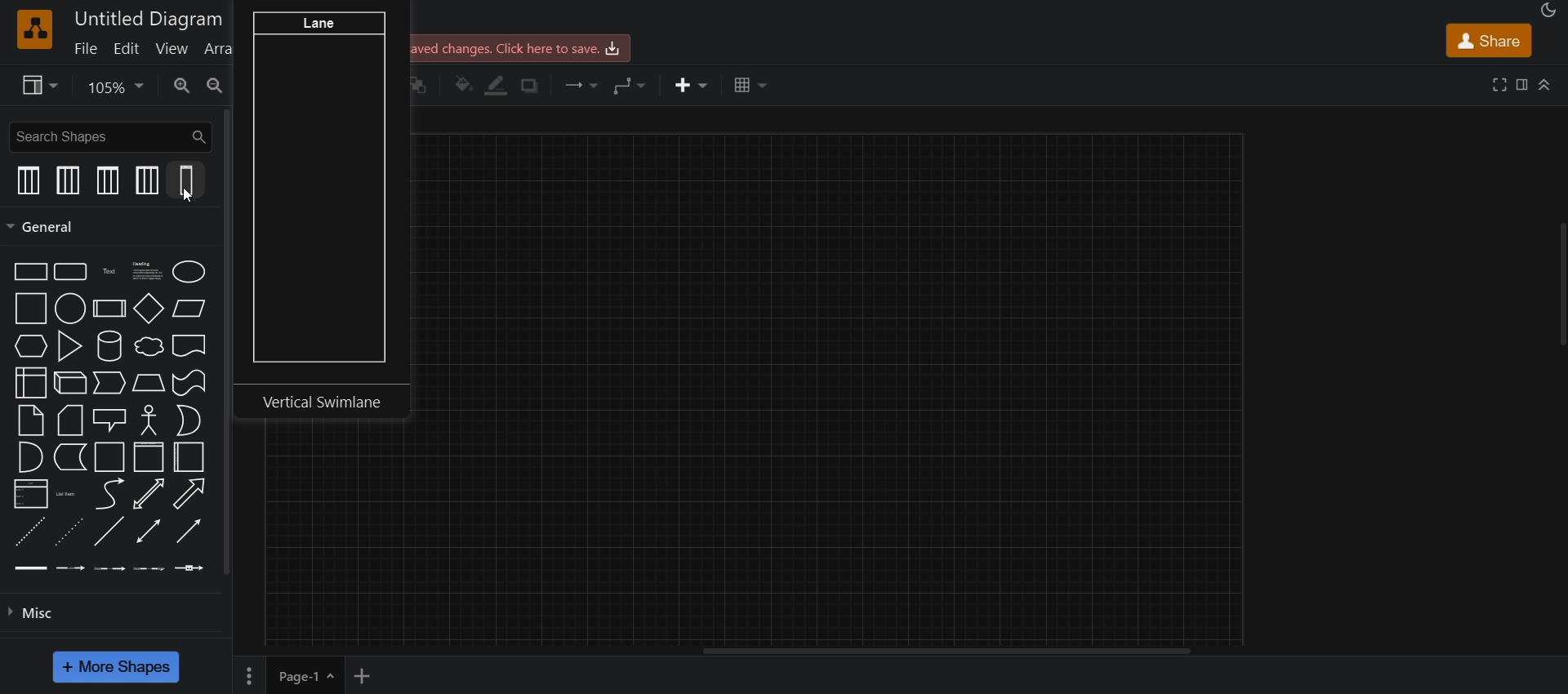 This screenshot has width=1568, height=694. I want to click on vertical container, so click(187, 458).